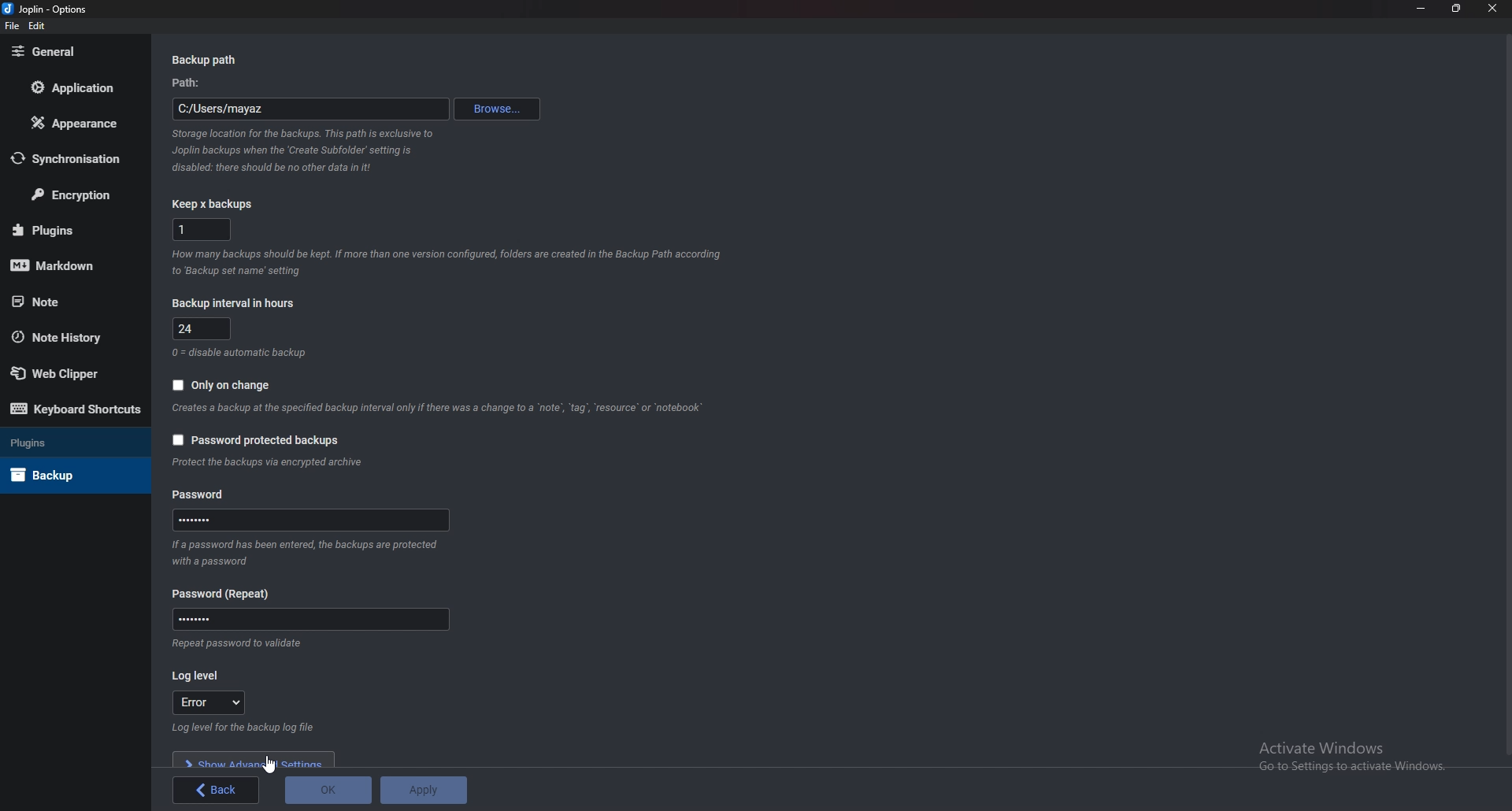 The image size is (1512, 811). What do you see at coordinates (207, 704) in the screenshot?
I see `error` at bounding box center [207, 704].